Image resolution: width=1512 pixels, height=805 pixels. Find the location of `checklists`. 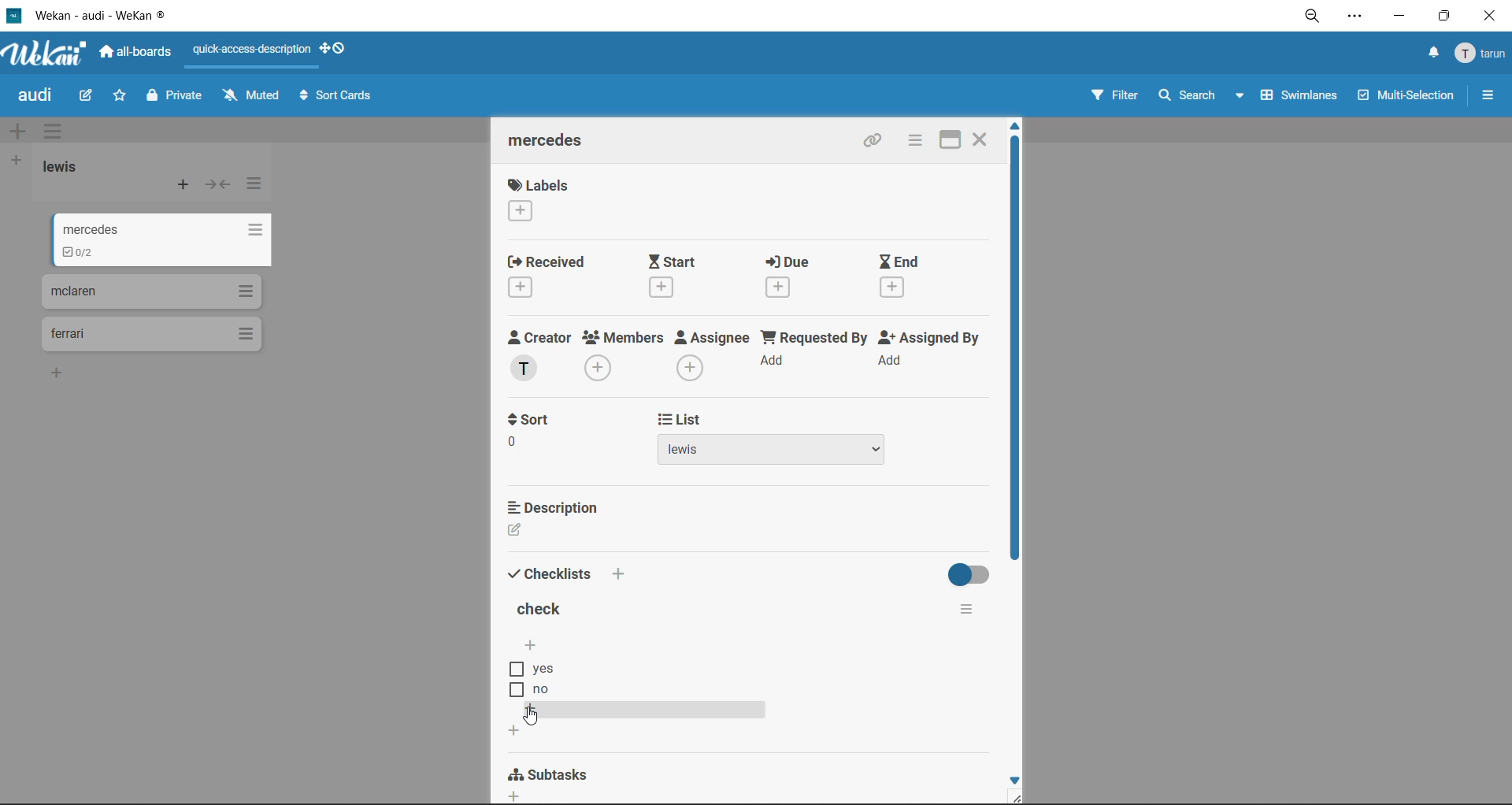

checklists is located at coordinates (551, 577).